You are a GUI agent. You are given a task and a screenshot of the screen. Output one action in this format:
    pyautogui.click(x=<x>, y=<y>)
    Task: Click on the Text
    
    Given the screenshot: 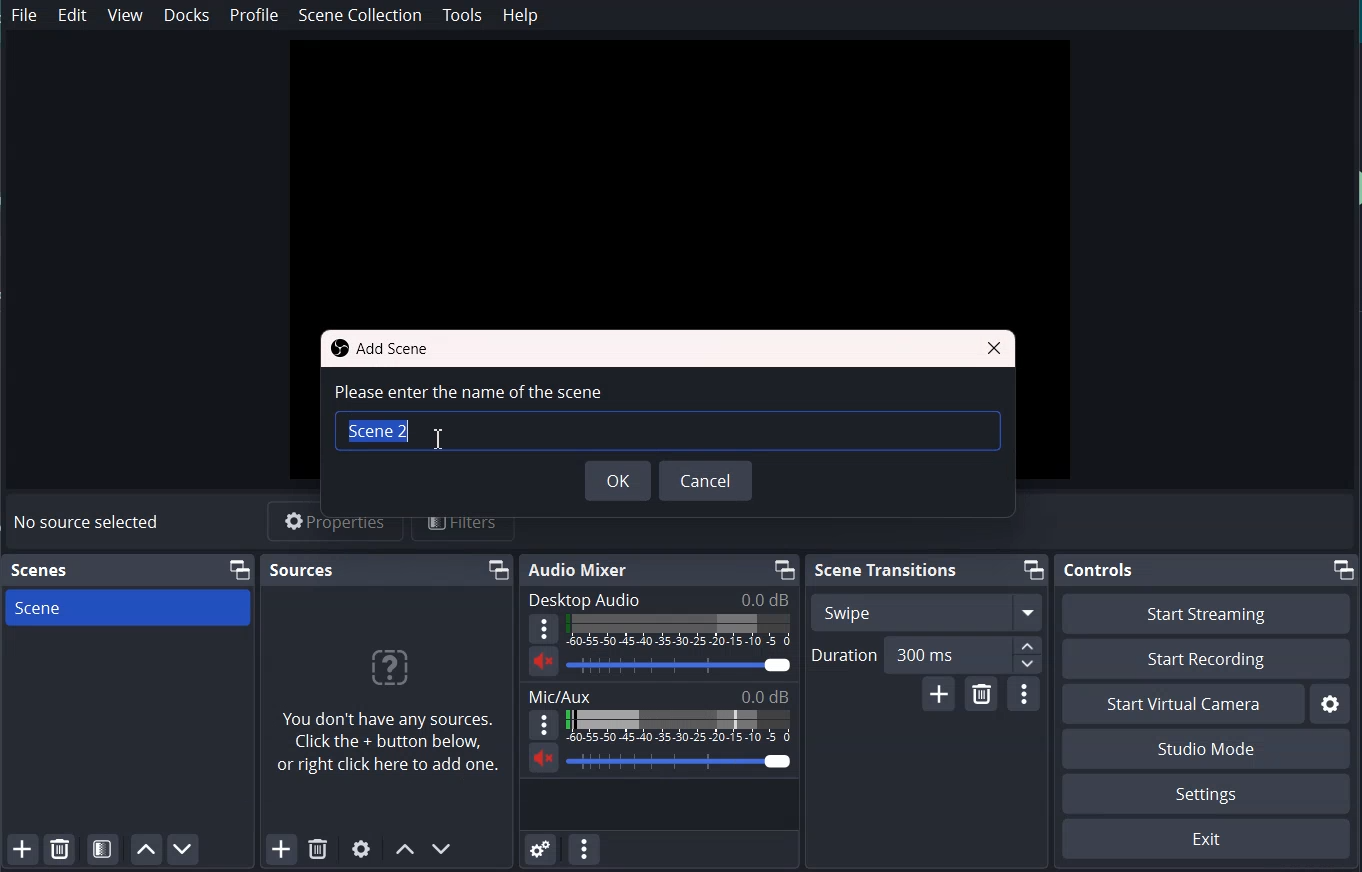 What is the action you would take?
    pyautogui.click(x=90, y=523)
    